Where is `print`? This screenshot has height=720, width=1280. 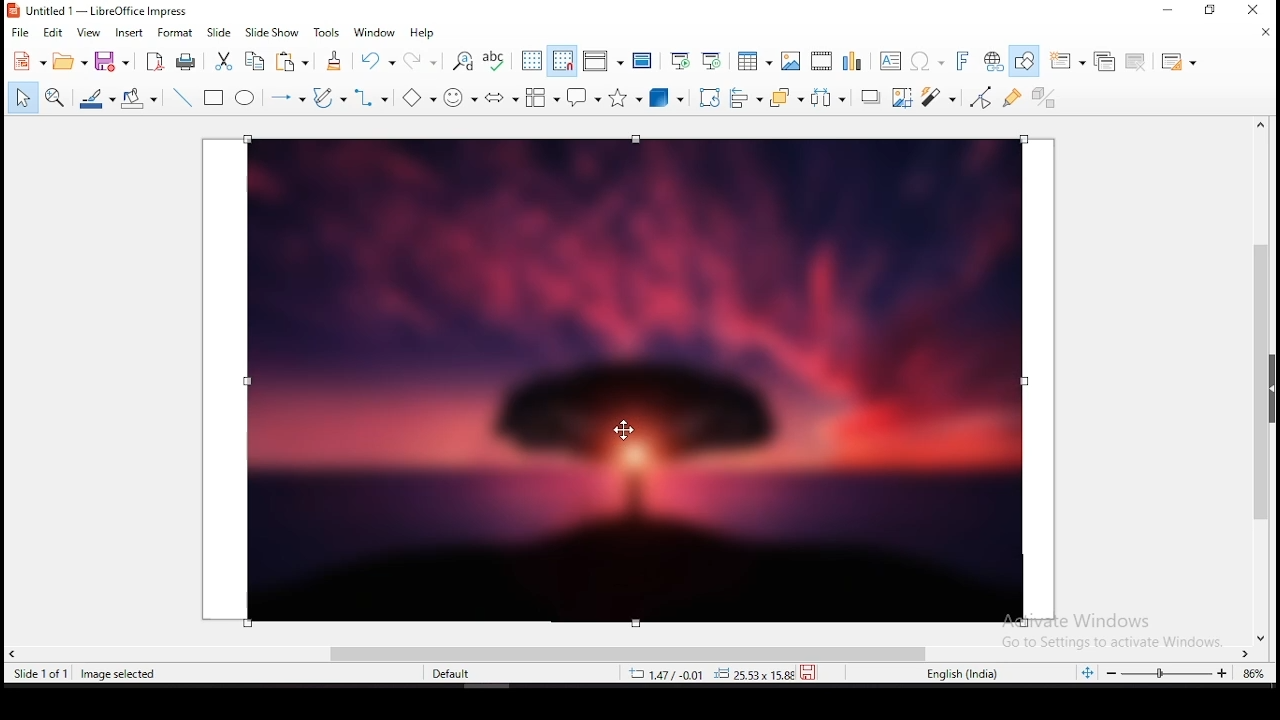 print is located at coordinates (183, 61).